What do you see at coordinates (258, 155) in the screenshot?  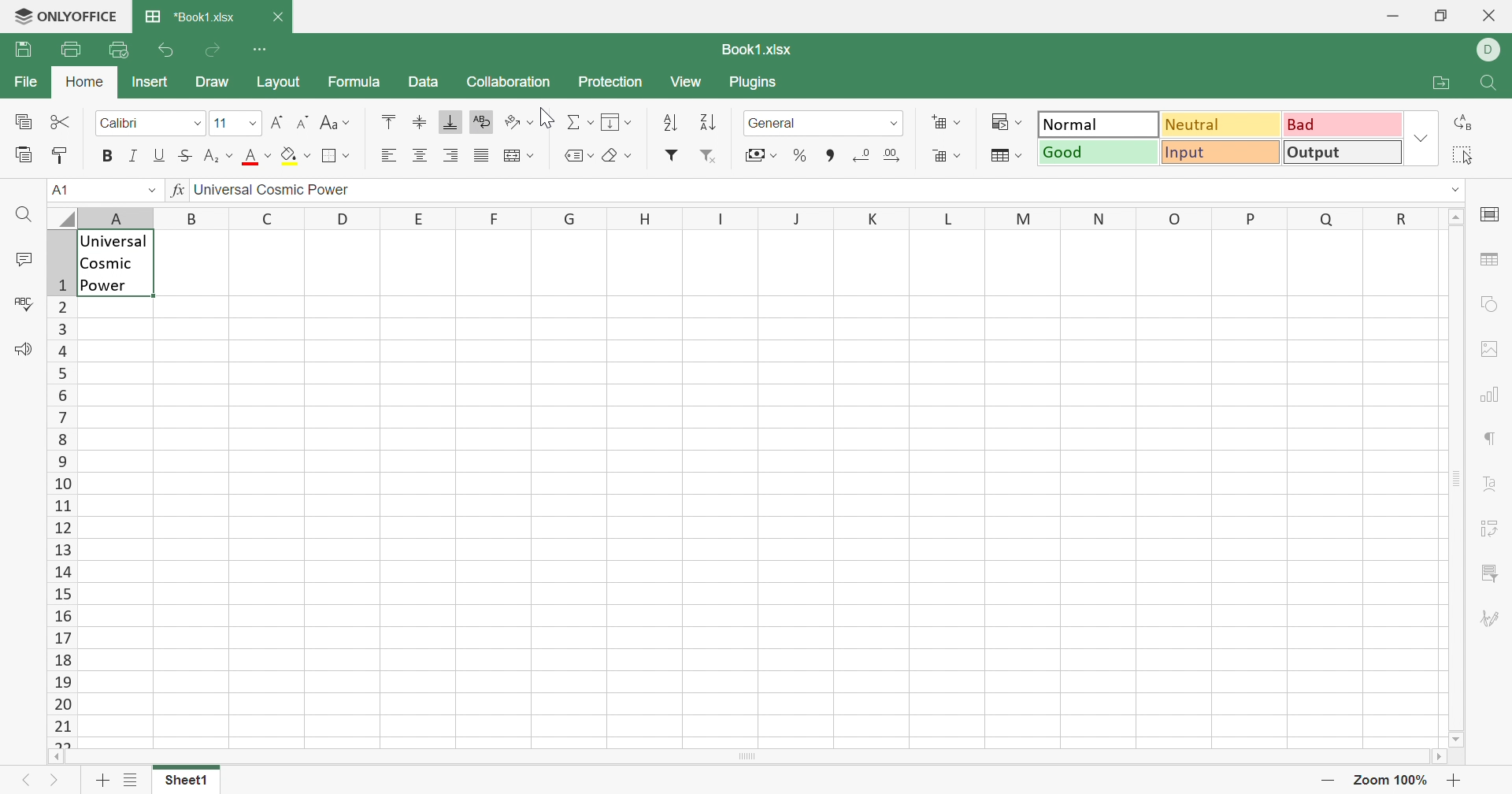 I see `Font Color` at bounding box center [258, 155].